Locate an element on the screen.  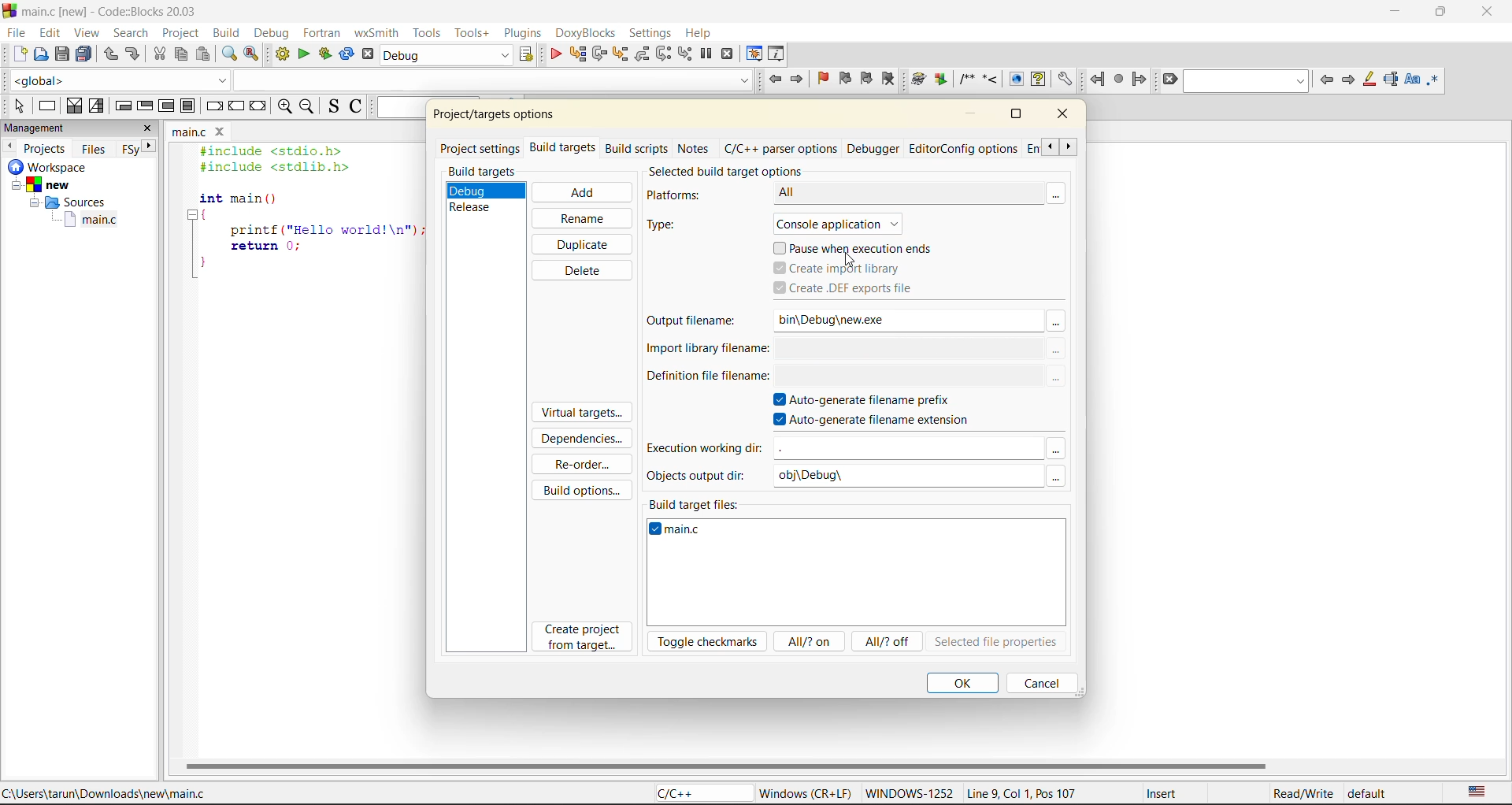
main.c is located at coordinates (189, 133).